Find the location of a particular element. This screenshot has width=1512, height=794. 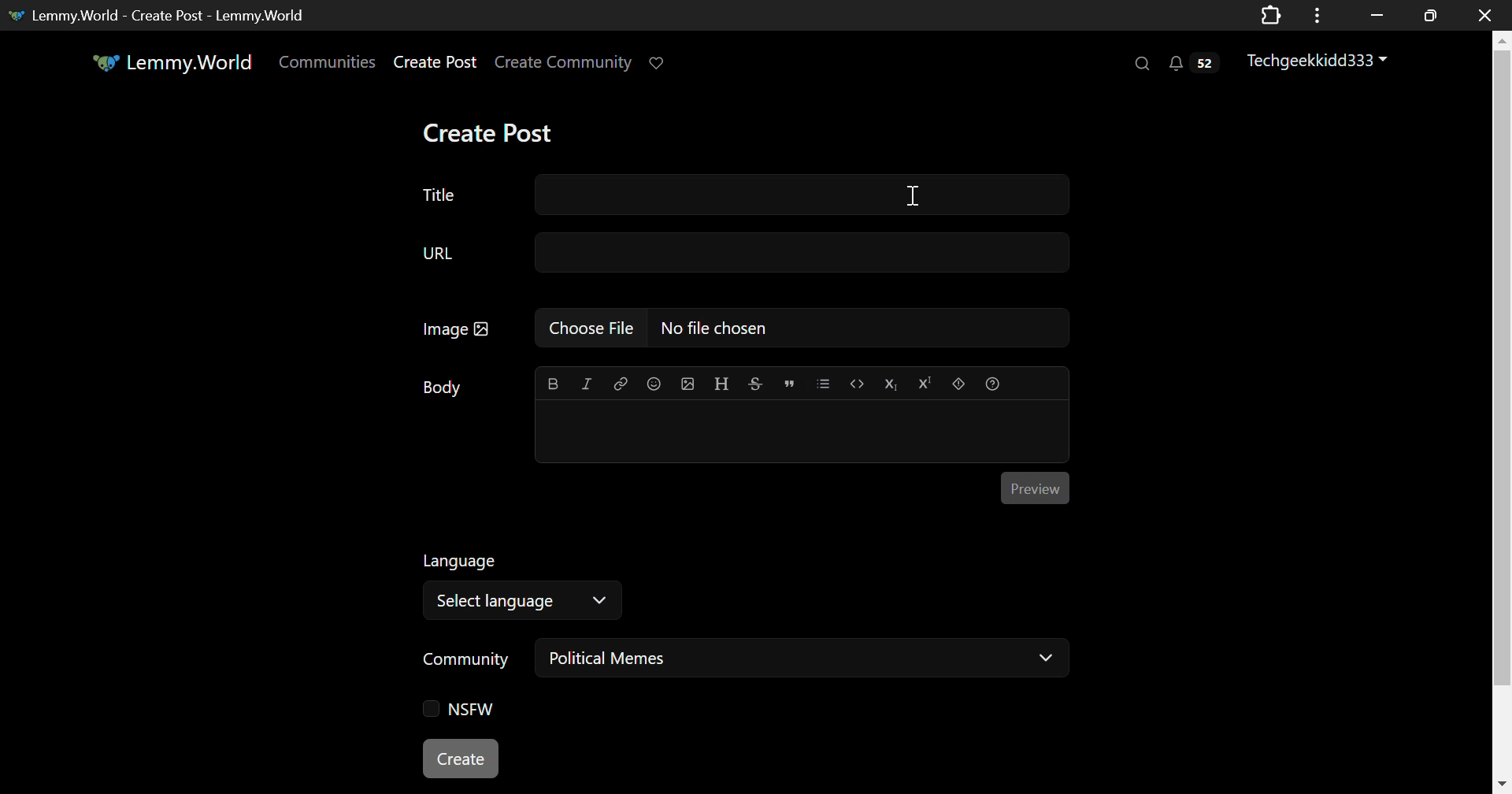

Minimize Window is located at coordinates (1428, 16).